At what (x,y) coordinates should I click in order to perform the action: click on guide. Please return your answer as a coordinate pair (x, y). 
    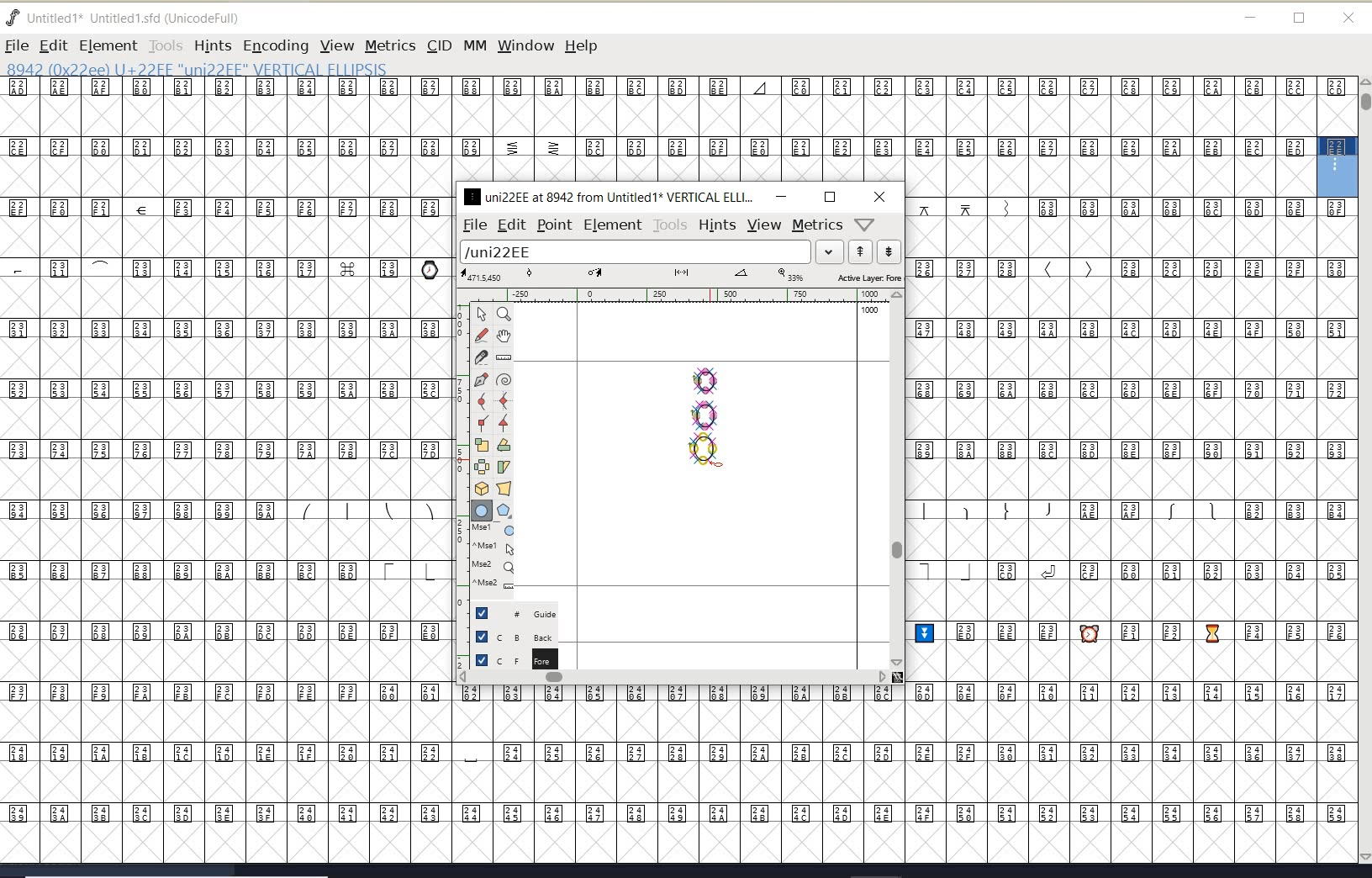
    Looking at the image, I should click on (522, 611).